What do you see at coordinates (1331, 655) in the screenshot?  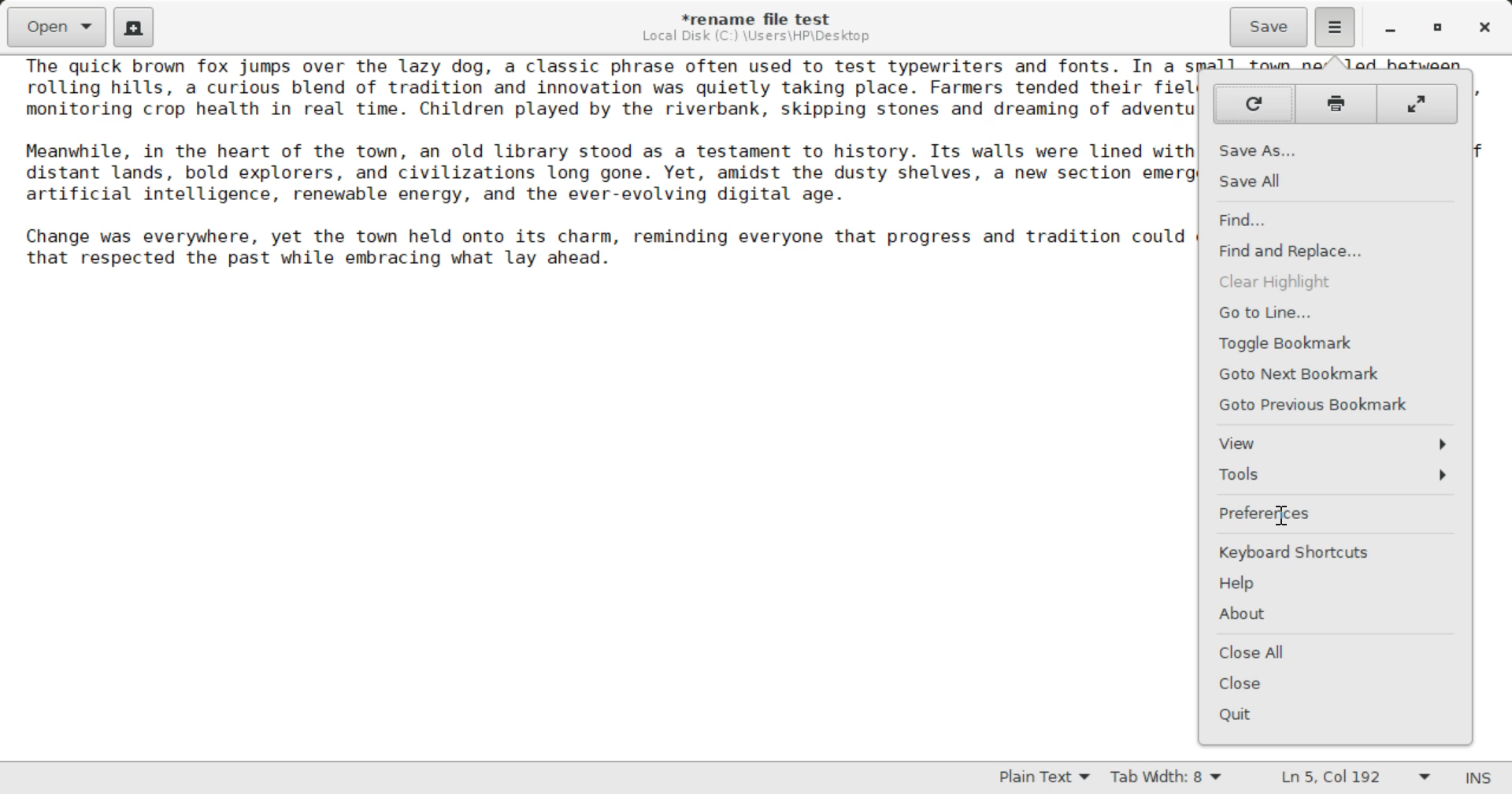 I see `Close All` at bounding box center [1331, 655].